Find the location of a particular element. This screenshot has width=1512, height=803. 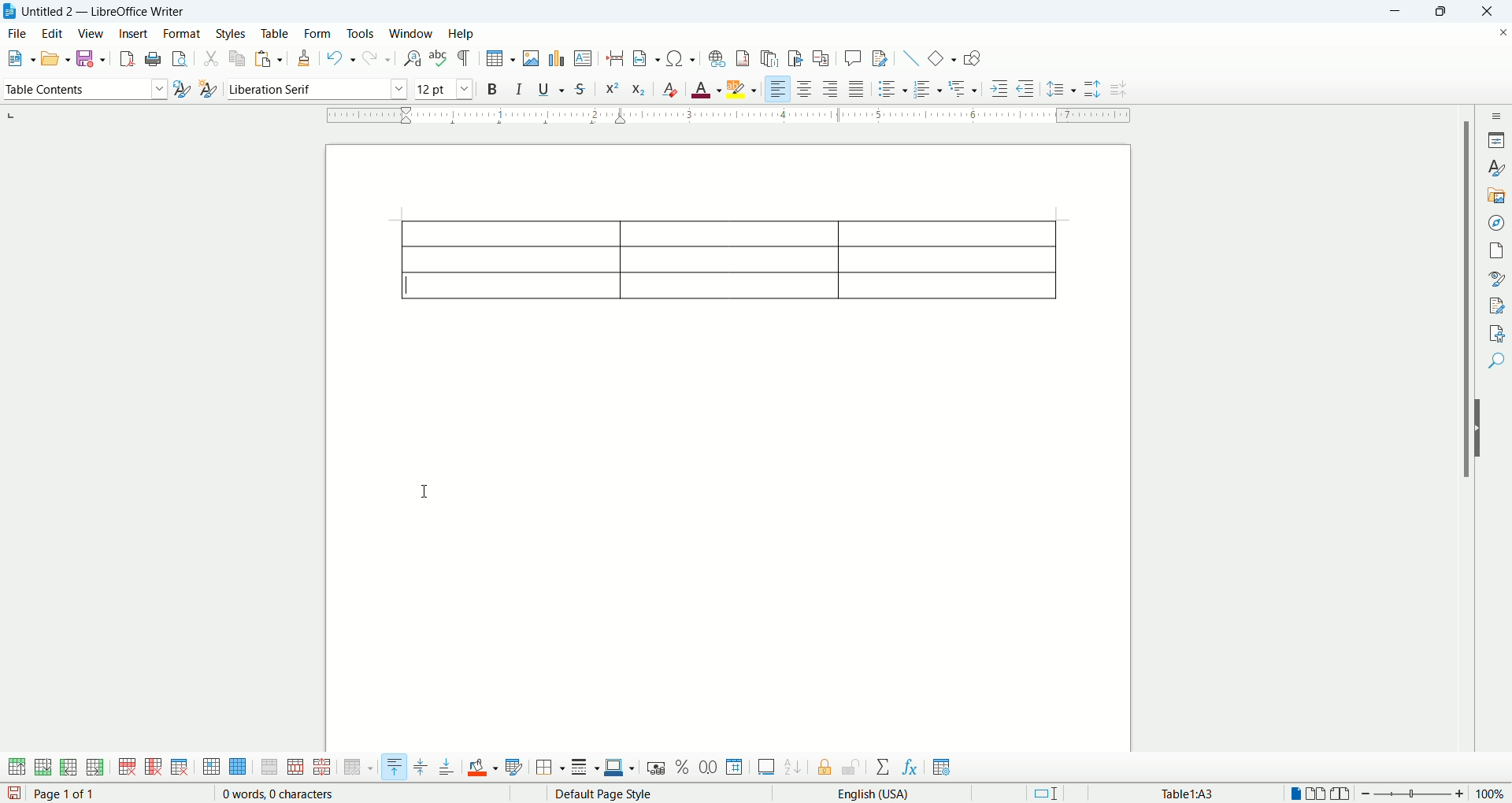

navigation is located at coordinates (1497, 224).